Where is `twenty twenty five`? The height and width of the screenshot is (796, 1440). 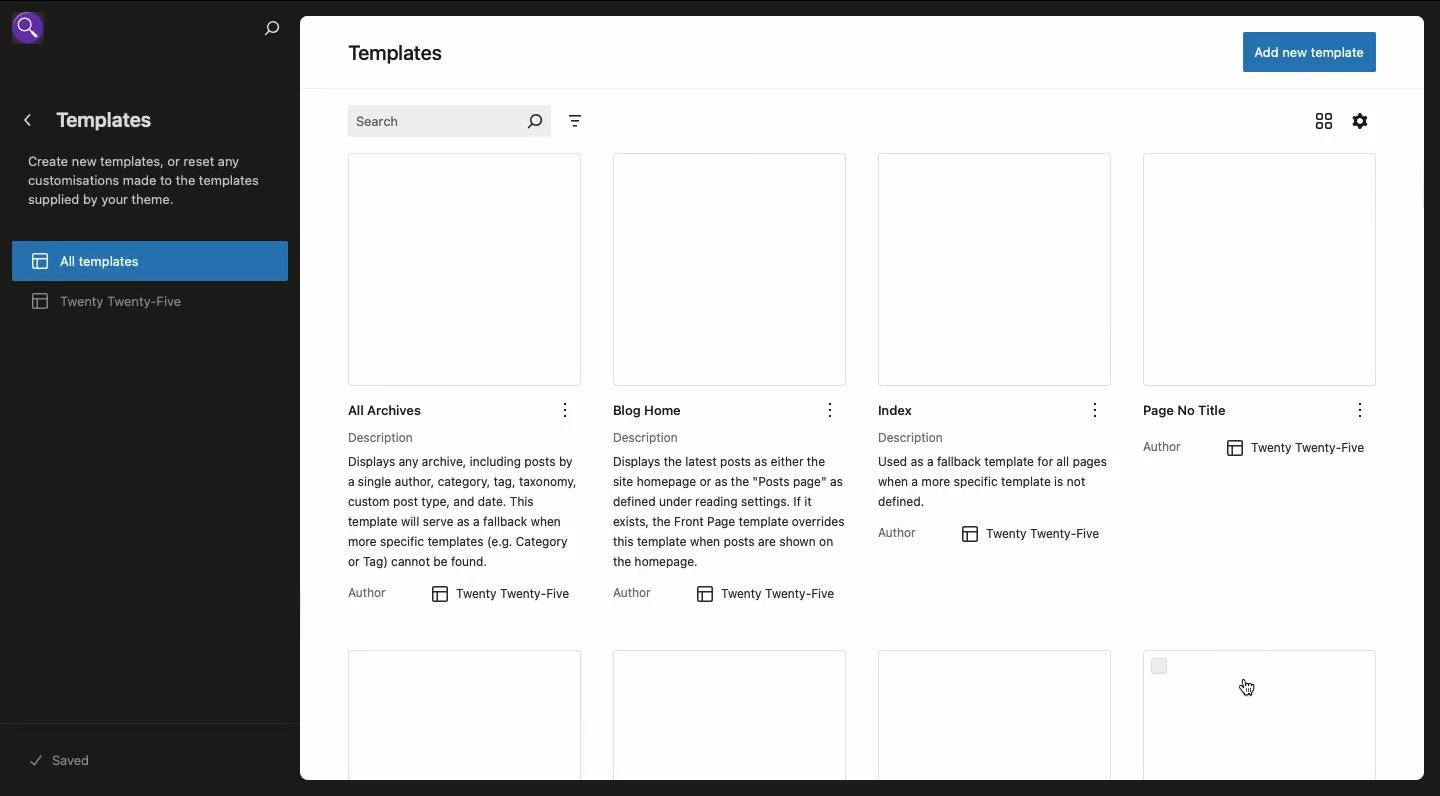 twenty twenty five is located at coordinates (503, 595).